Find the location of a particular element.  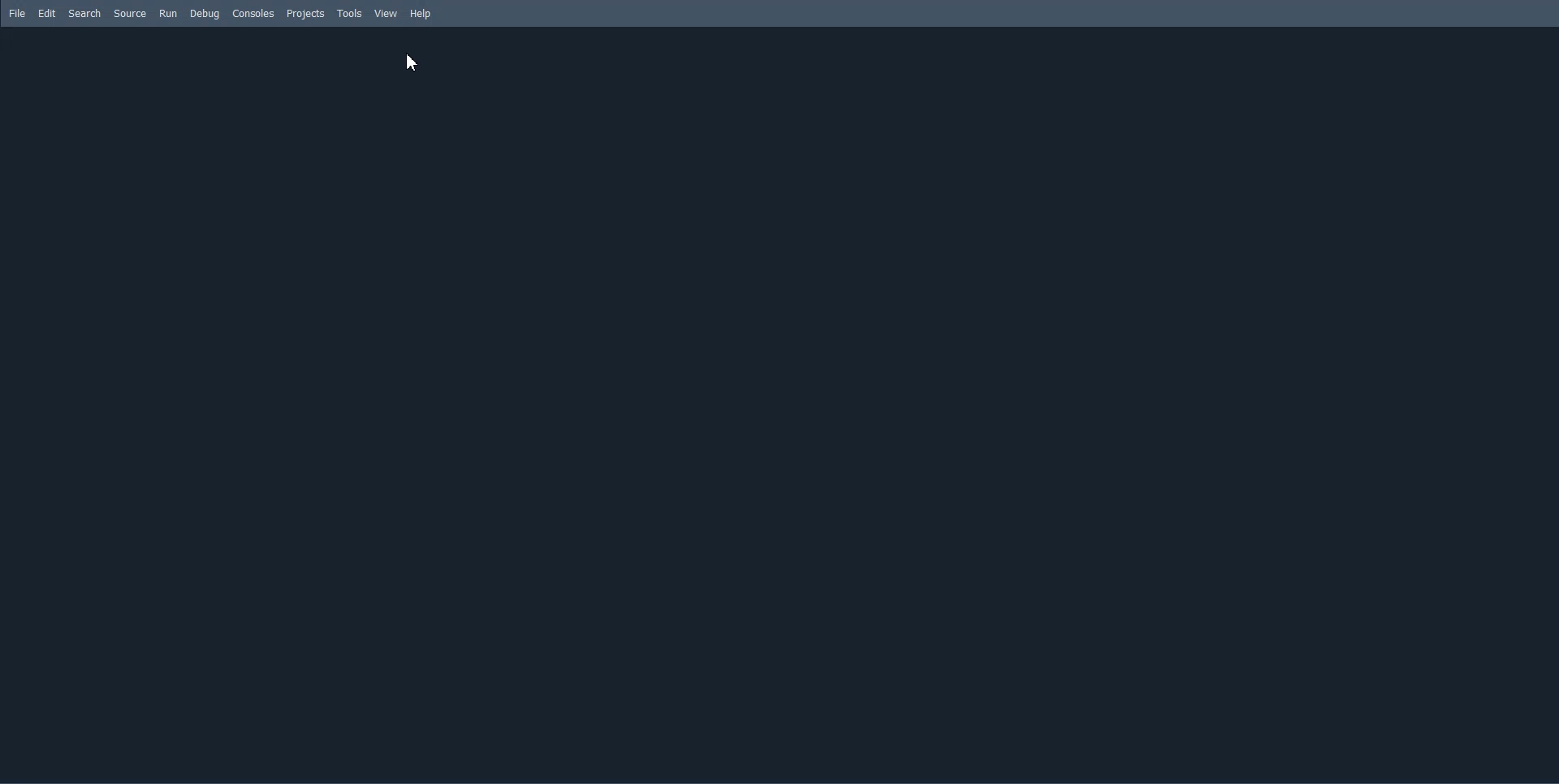

Source is located at coordinates (129, 13).